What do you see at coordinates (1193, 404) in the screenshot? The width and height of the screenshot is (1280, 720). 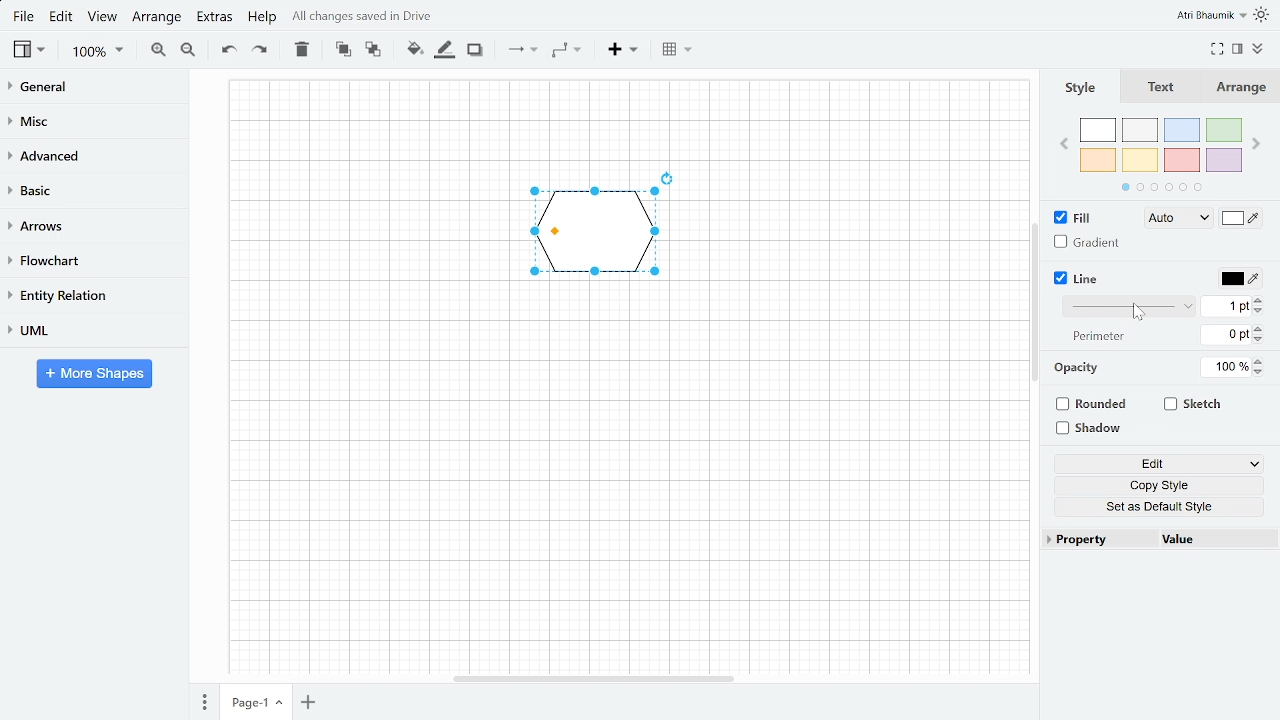 I see `Sketch` at bounding box center [1193, 404].